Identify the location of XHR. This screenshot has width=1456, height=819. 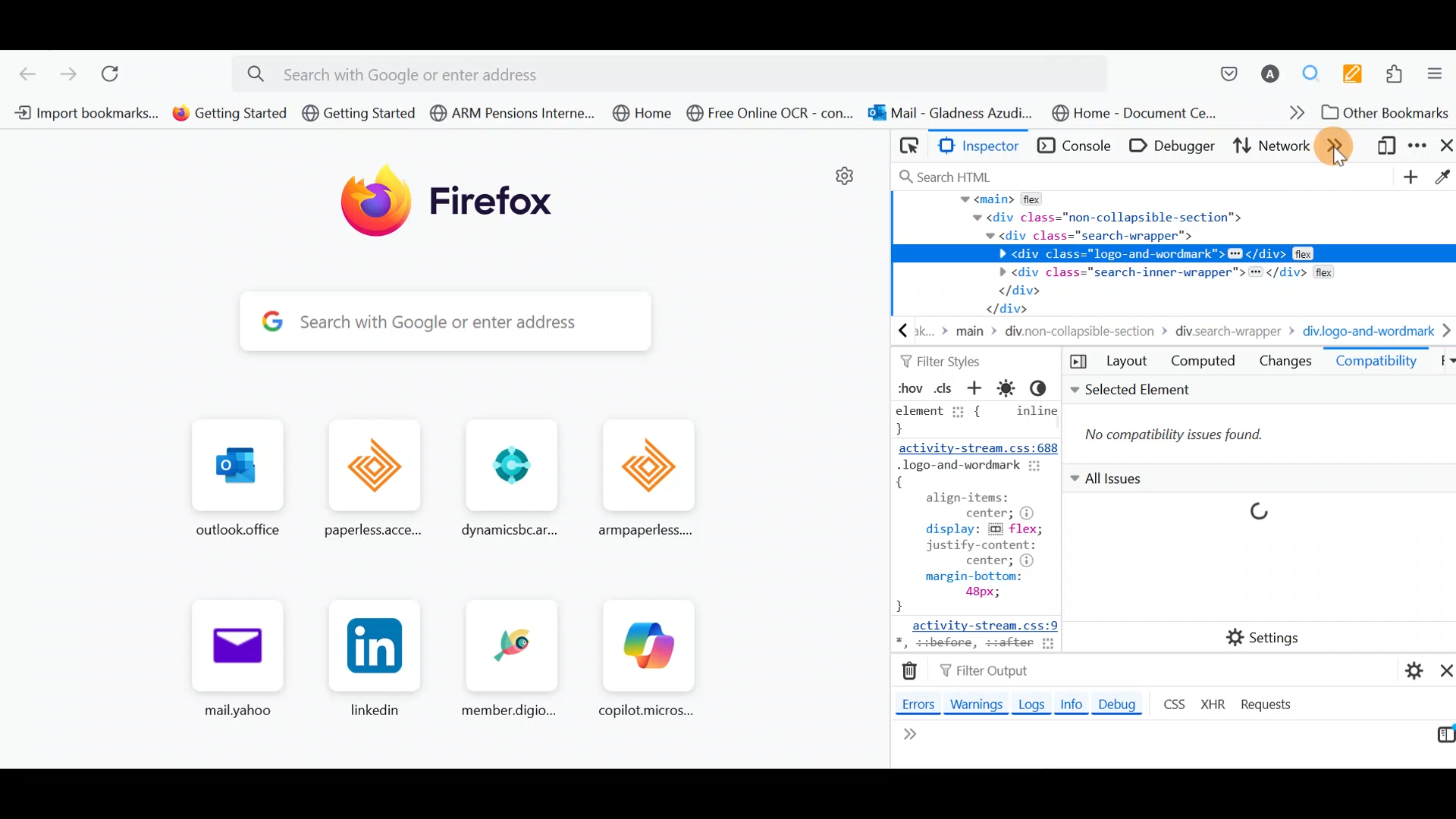
(1216, 703).